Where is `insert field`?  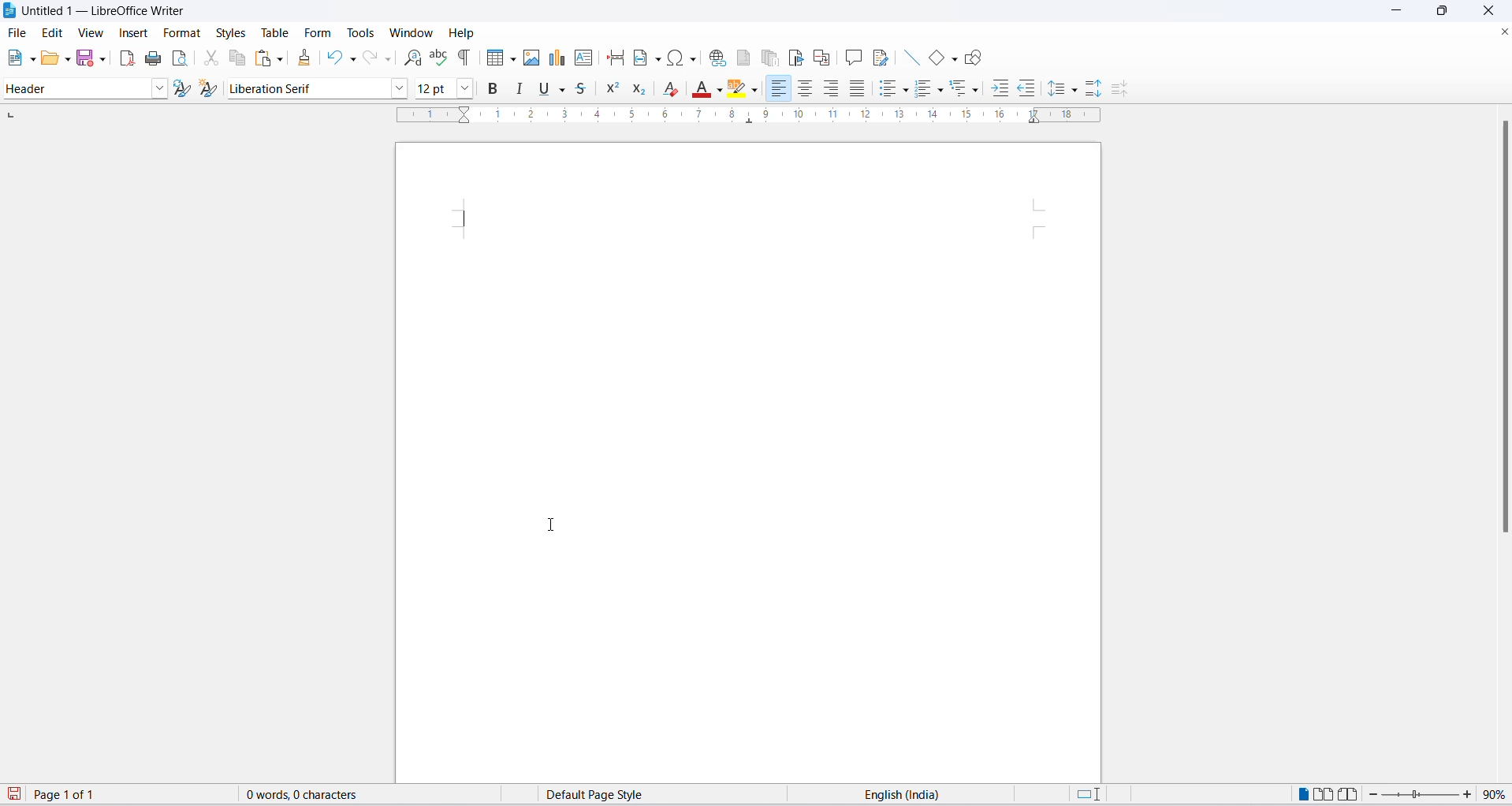
insert field is located at coordinates (646, 59).